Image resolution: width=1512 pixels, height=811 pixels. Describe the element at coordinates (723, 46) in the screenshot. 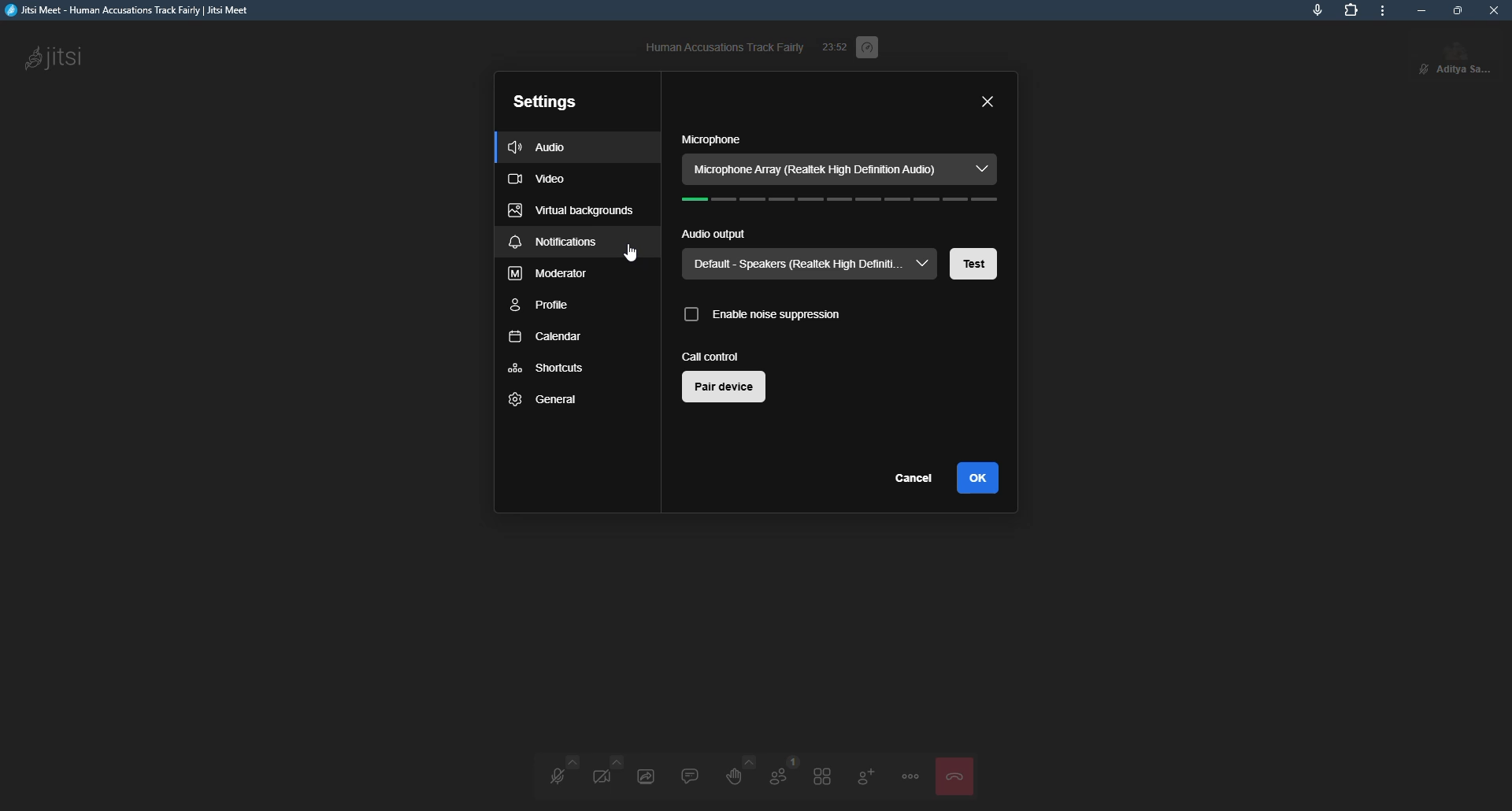

I see `human accusations track fairly` at that location.